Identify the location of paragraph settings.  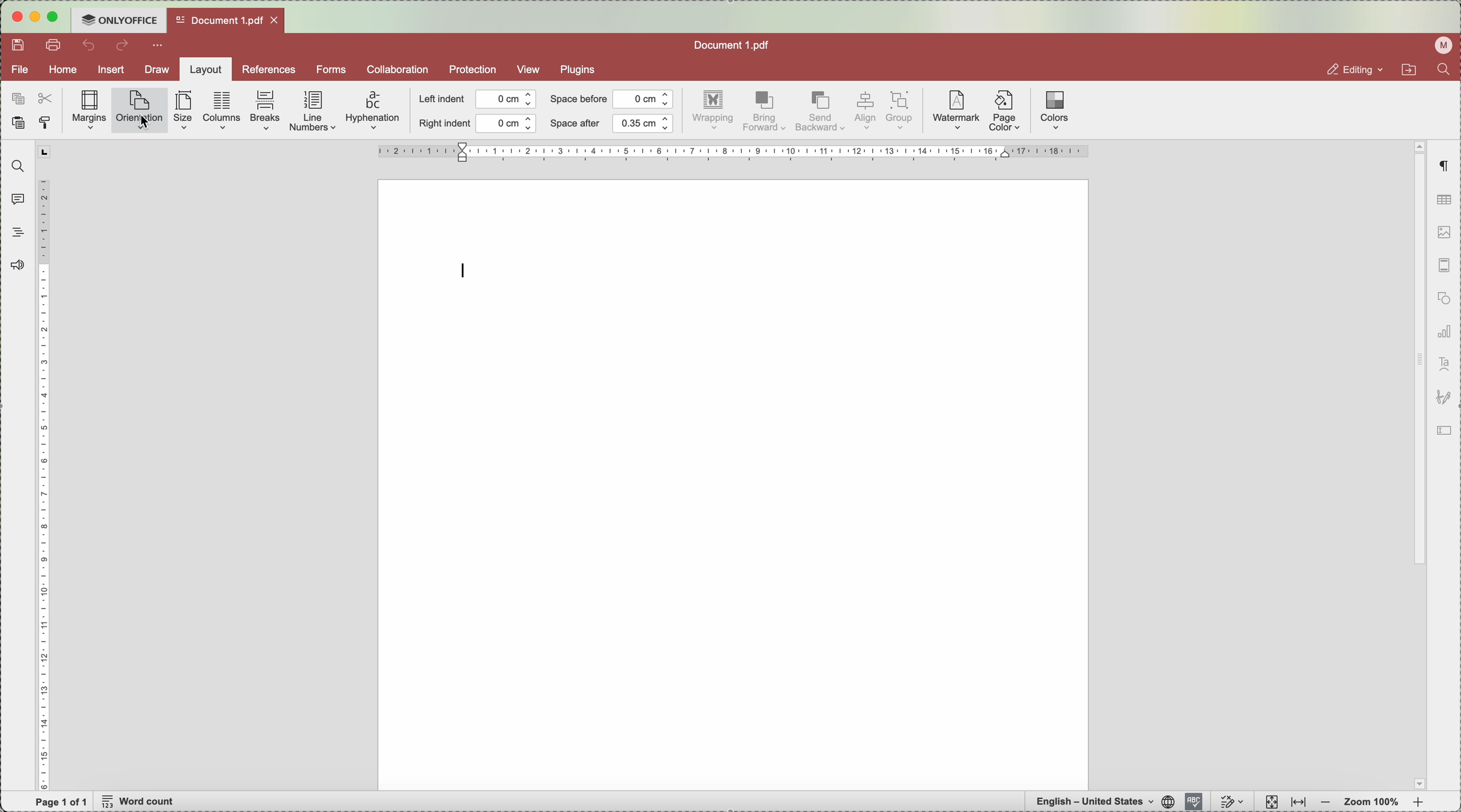
(1443, 167).